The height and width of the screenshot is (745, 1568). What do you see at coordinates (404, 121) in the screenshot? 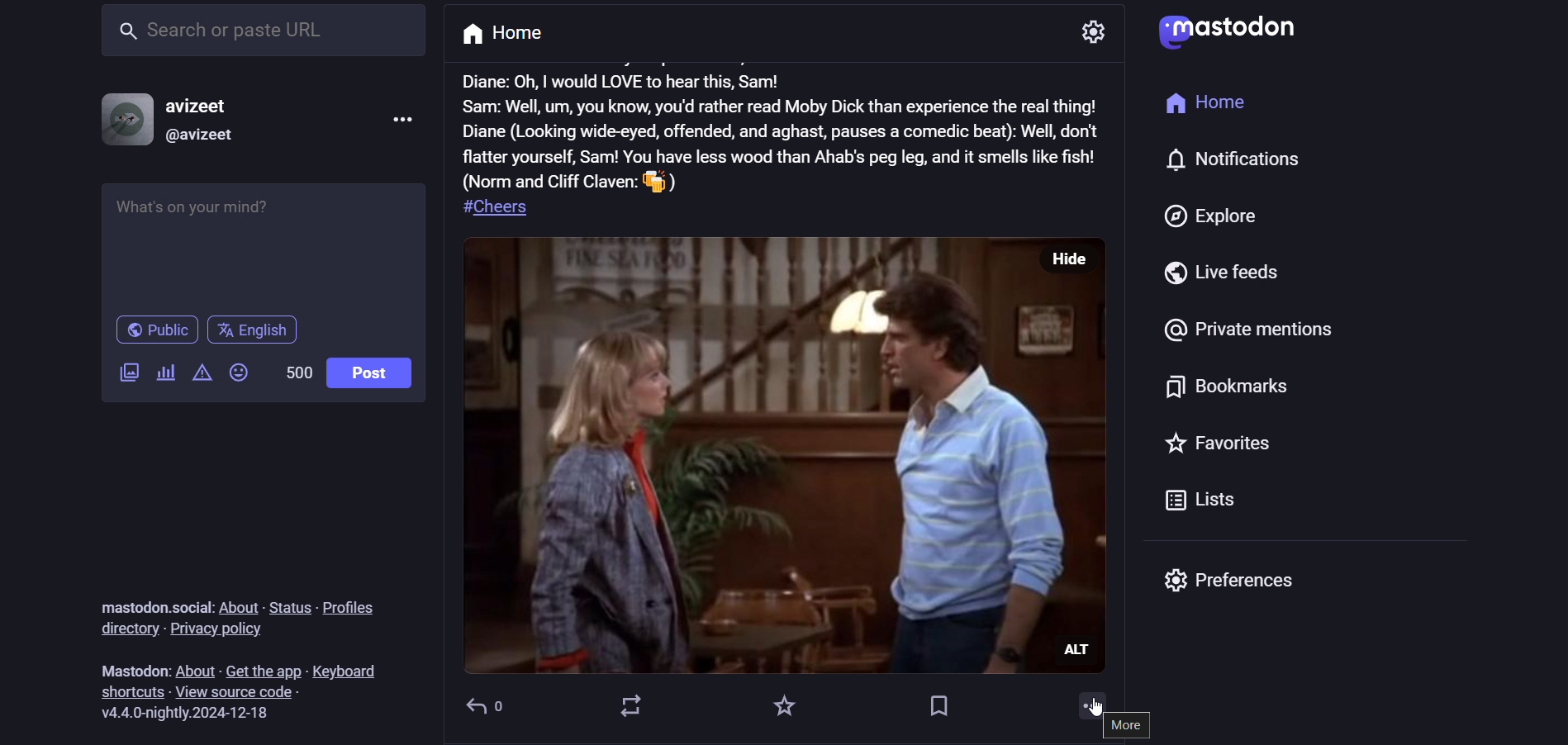
I see `menu` at bounding box center [404, 121].